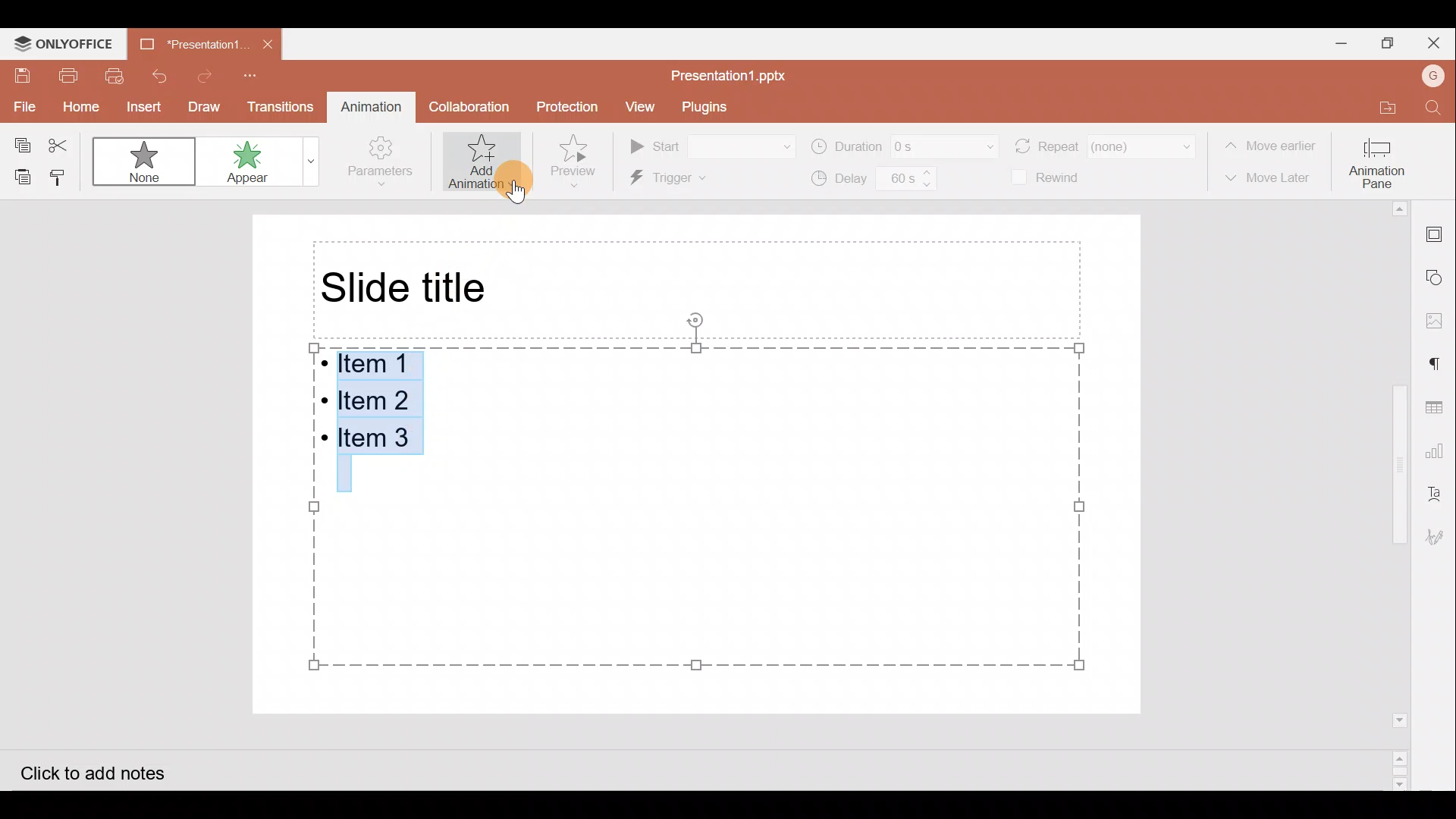  What do you see at coordinates (1402, 496) in the screenshot?
I see `Scroll bar` at bounding box center [1402, 496].